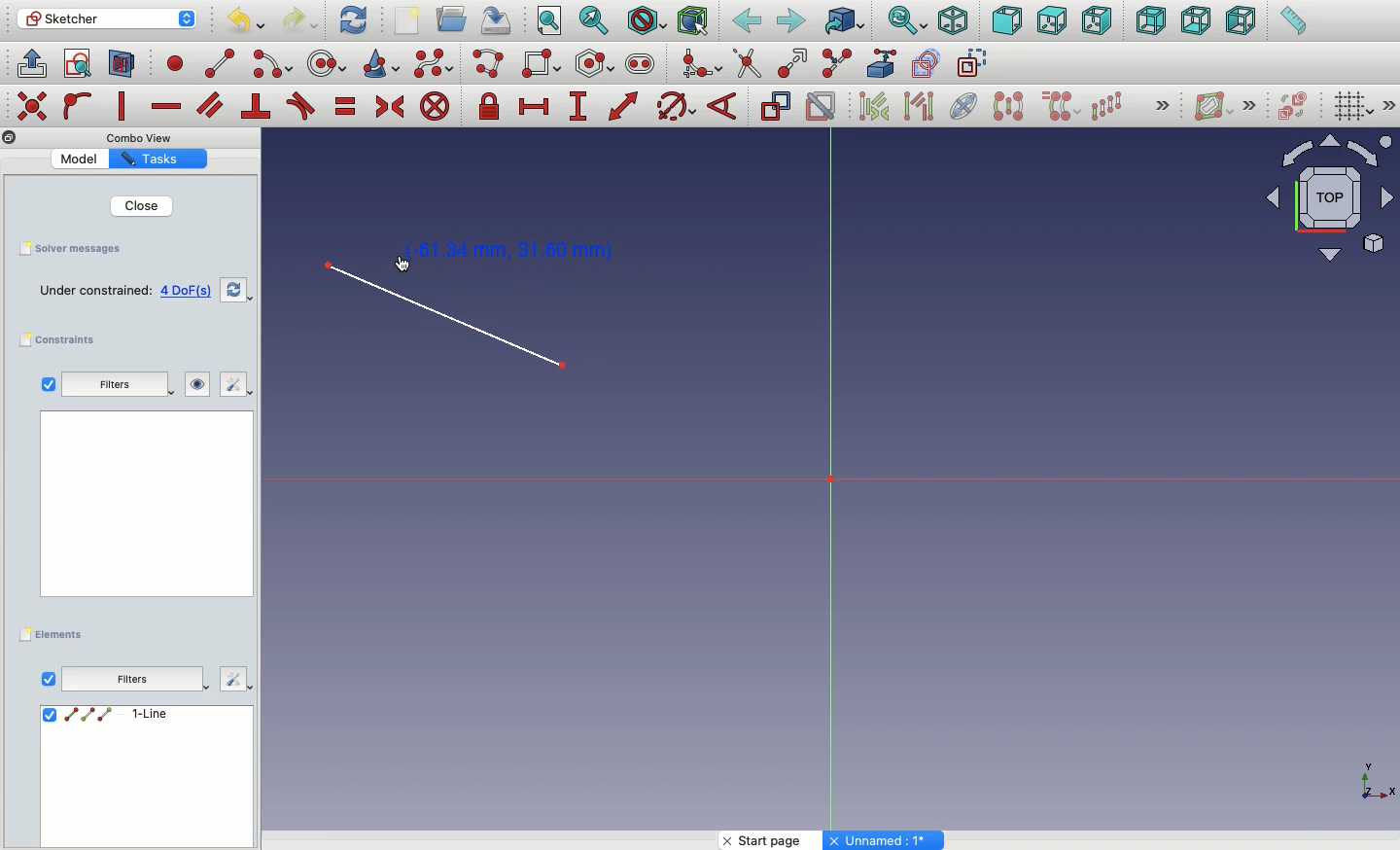 The image size is (1400, 850). What do you see at coordinates (700, 64) in the screenshot?
I see `Create fillet` at bounding box center [700, 64].